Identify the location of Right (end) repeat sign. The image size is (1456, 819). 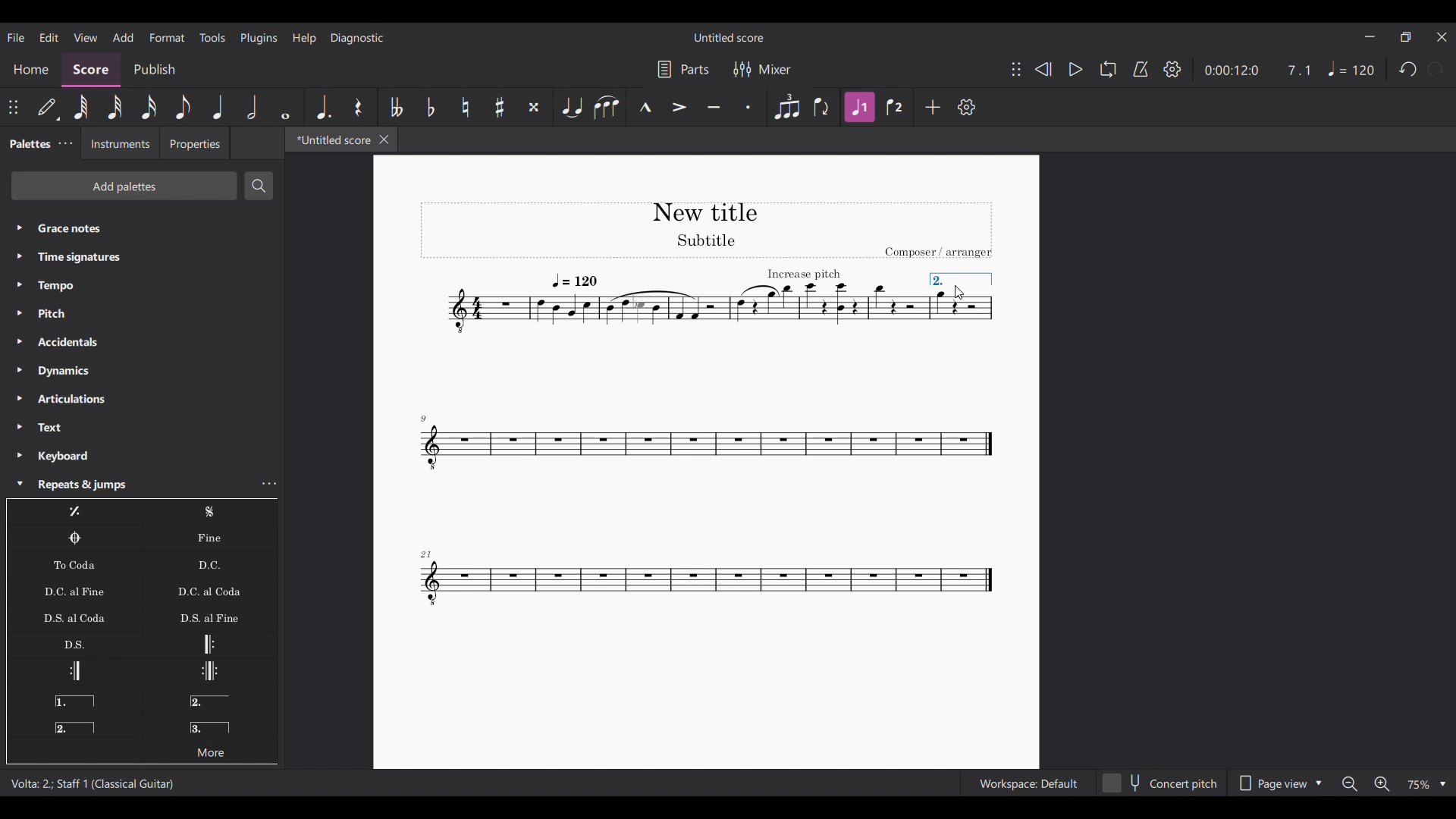
(74, 671).